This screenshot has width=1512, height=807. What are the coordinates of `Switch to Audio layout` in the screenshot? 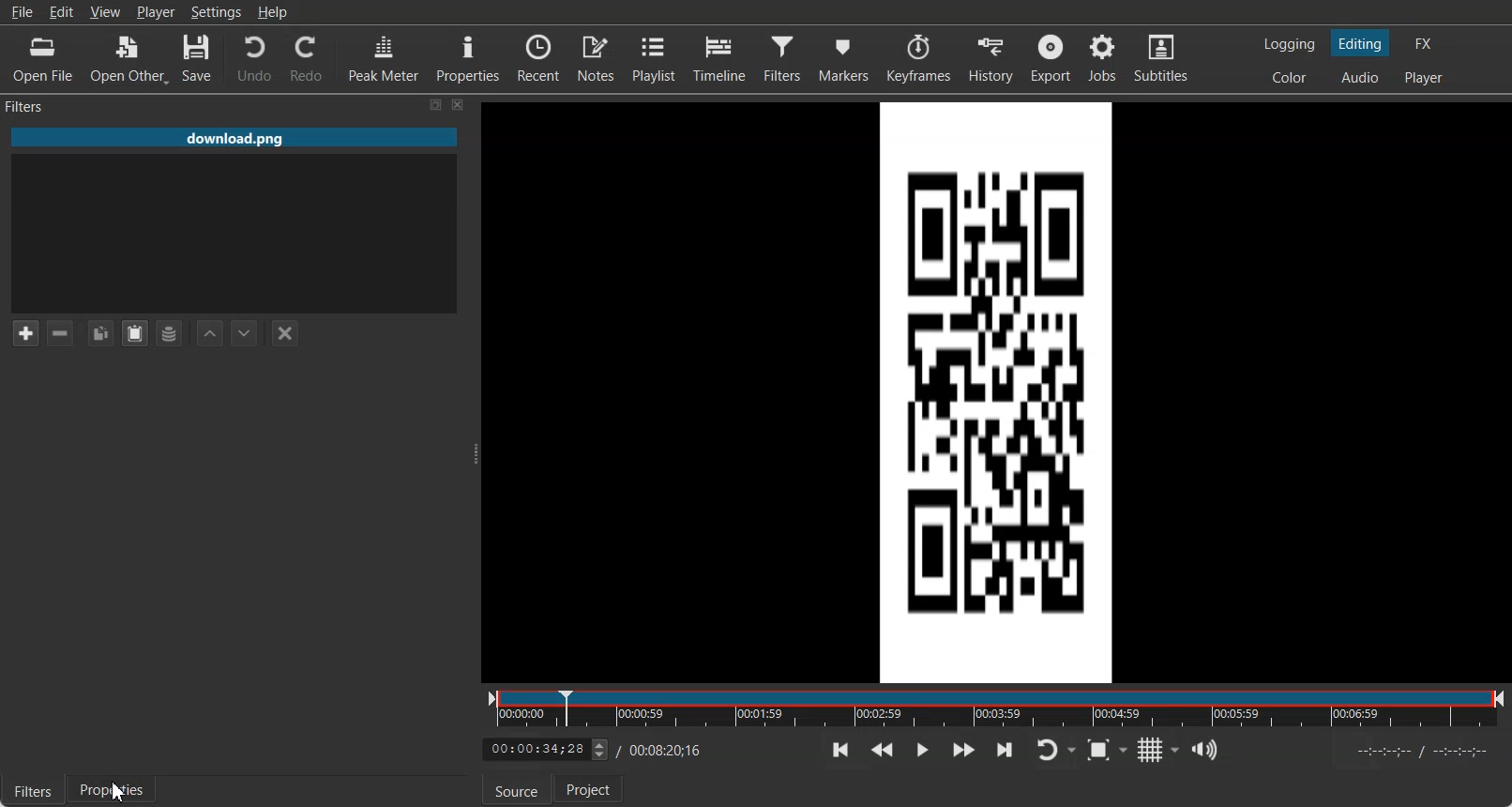 It's located at (1361, 77).